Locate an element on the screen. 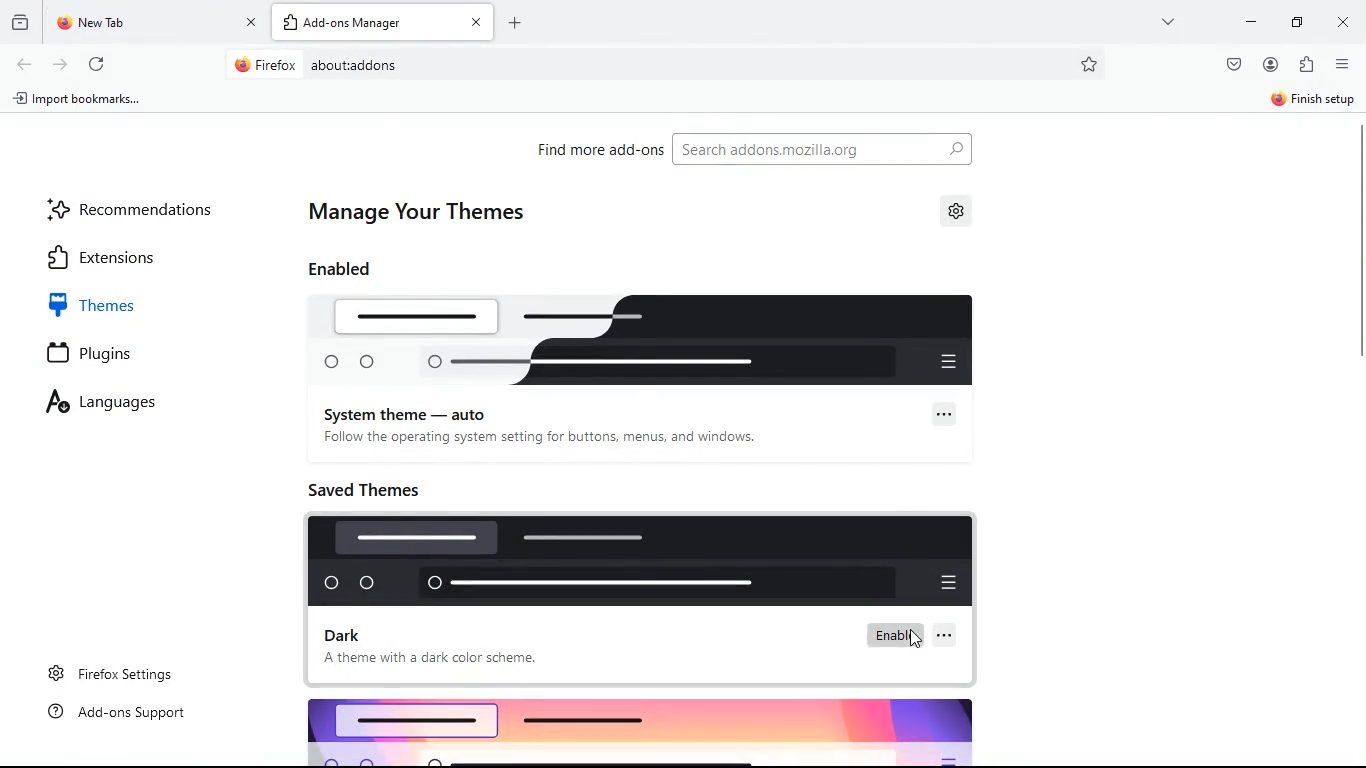  find more add-on is located at coordinates (601, 149).